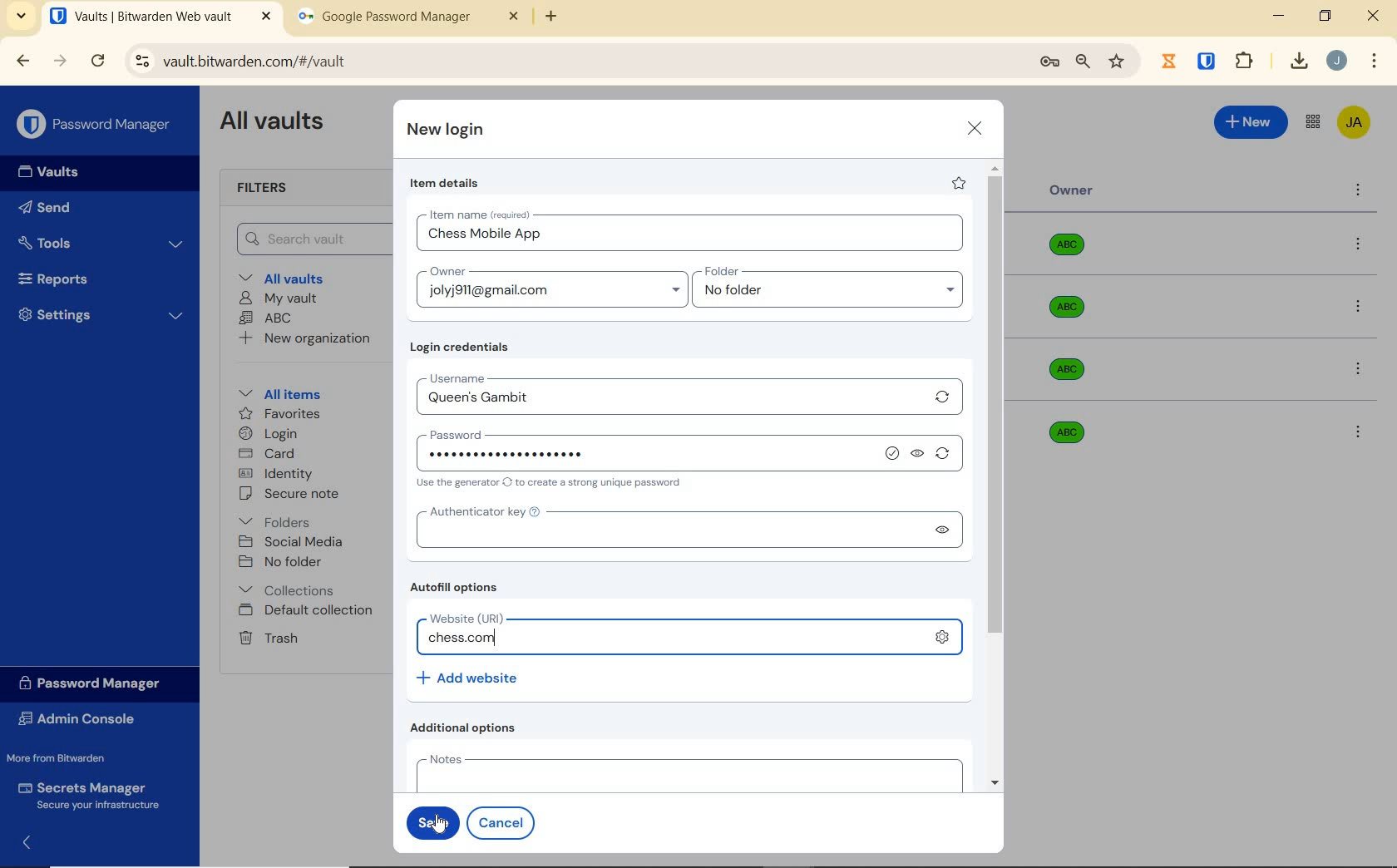 This screenshot has width=1397, height=868. What do you see at coordinates (499, 619) in the screenshot?
I see `Website (URL)` at bounding box center [499, 619].